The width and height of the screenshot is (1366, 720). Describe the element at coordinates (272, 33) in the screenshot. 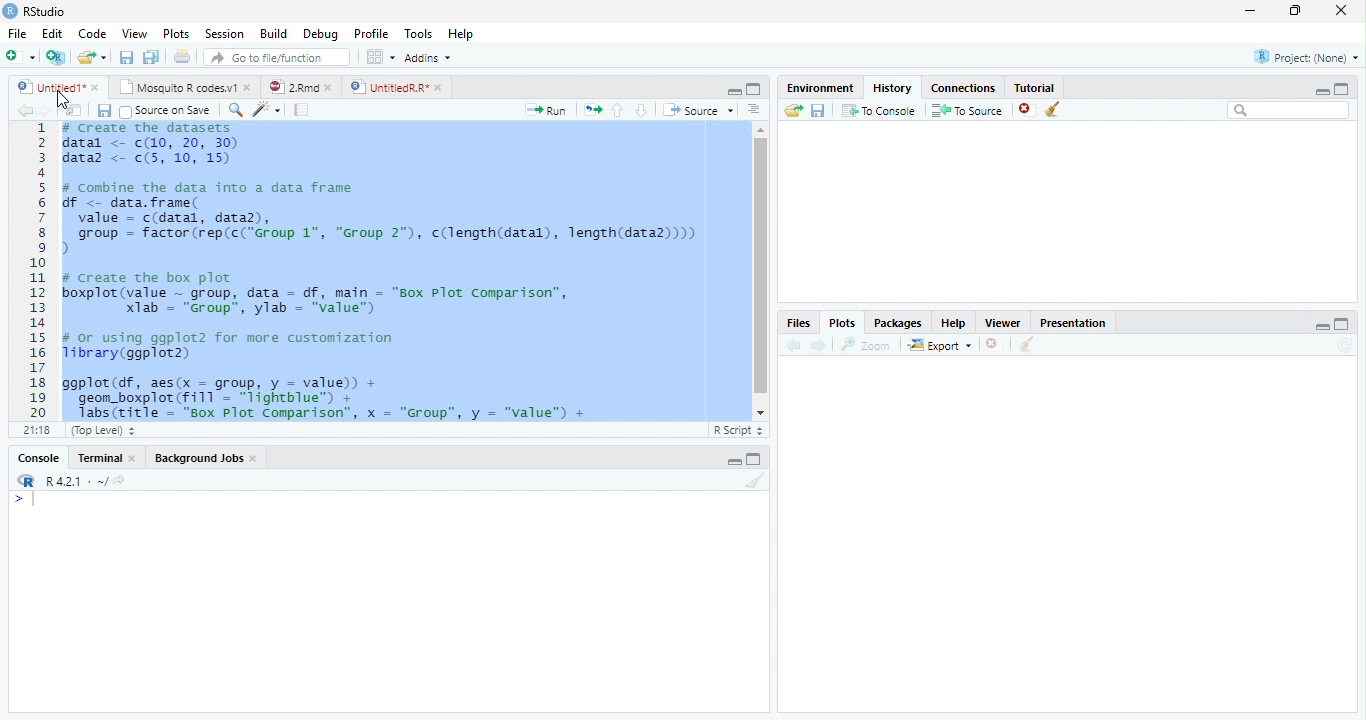

I see `Build` at that location.